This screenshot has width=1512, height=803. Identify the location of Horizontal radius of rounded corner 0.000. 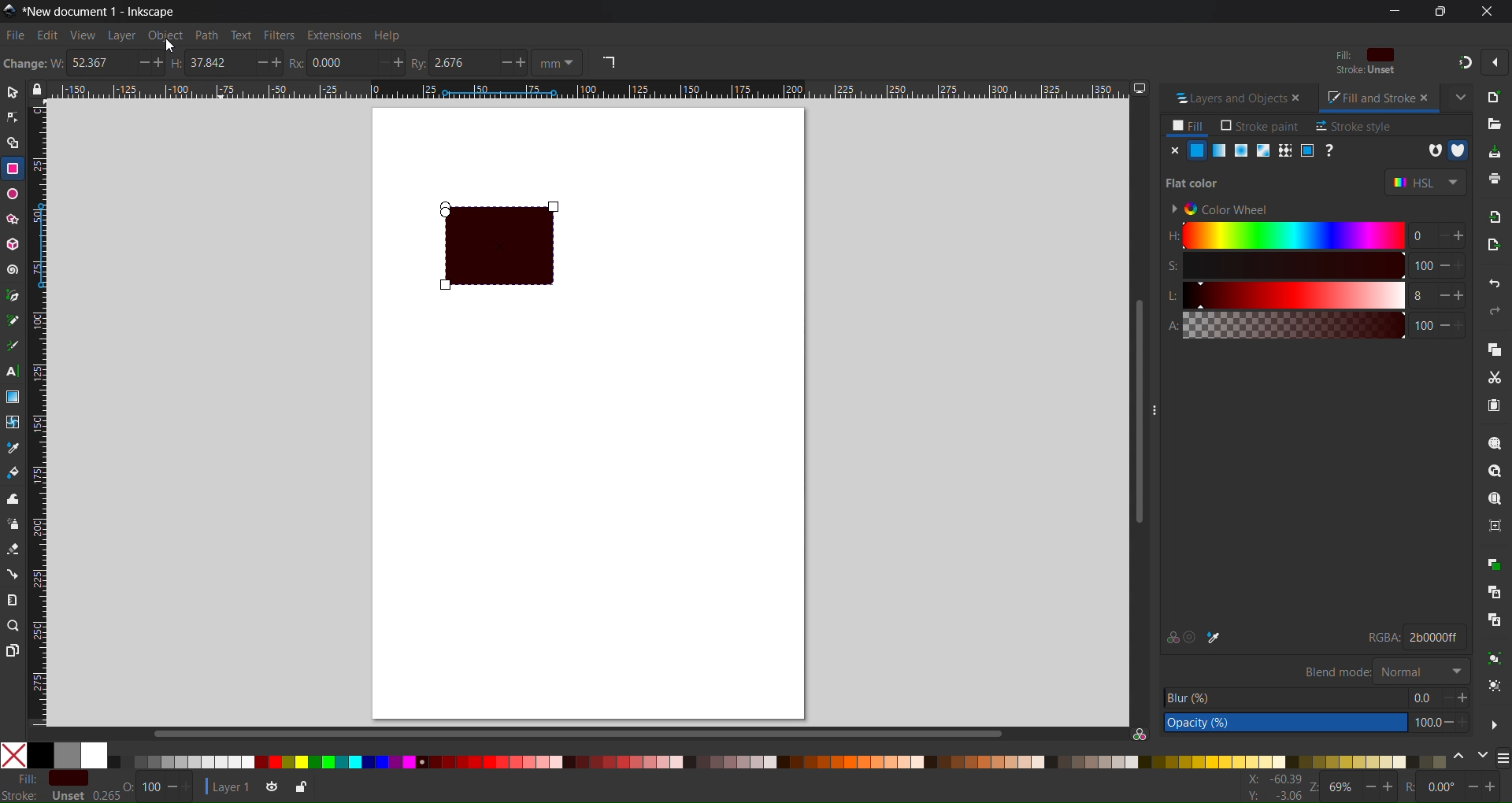
(338, 62).